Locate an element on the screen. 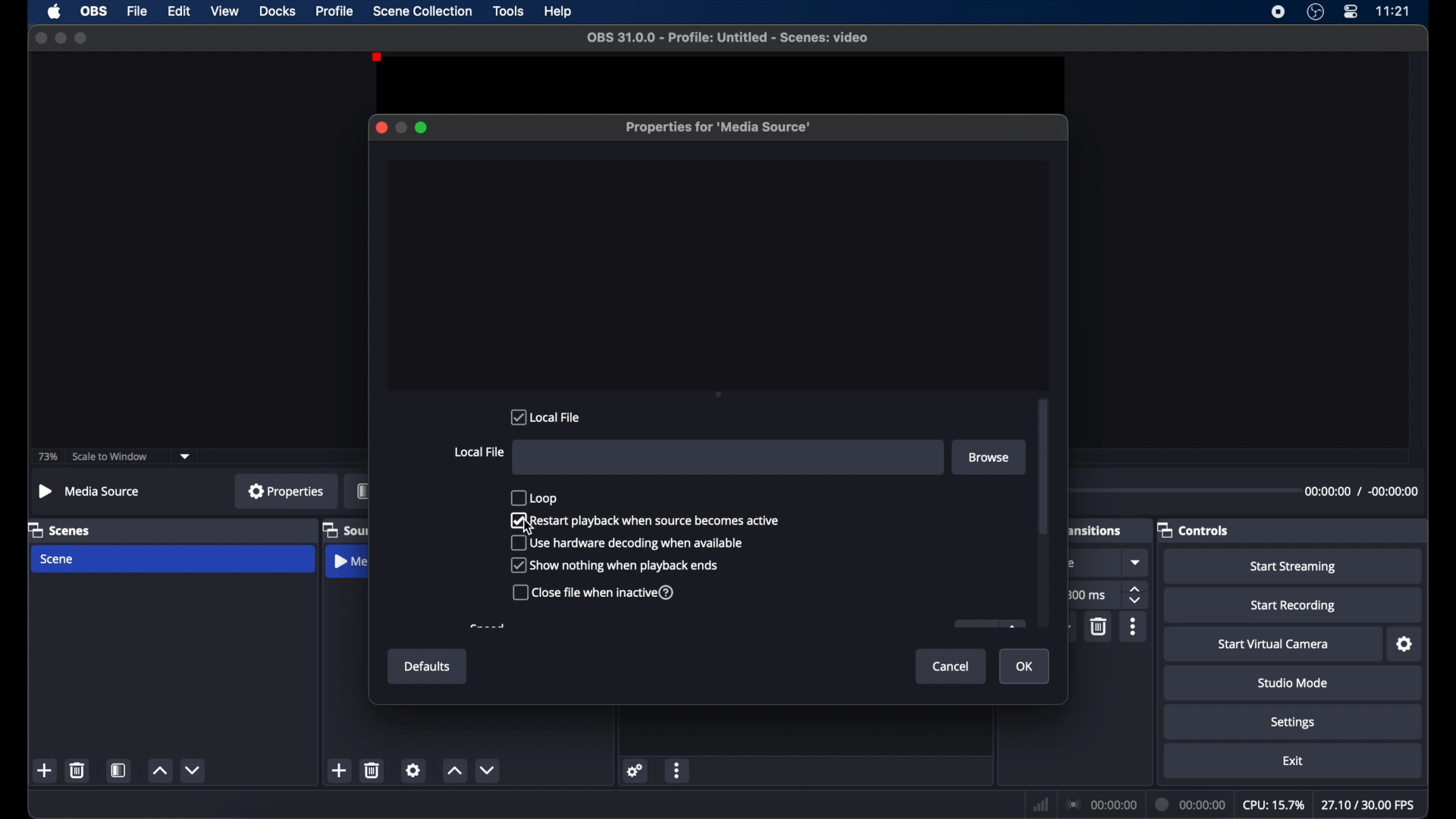 This screenshot has width=1456, height=819. obscure text is located at coordinates (1068, 564).